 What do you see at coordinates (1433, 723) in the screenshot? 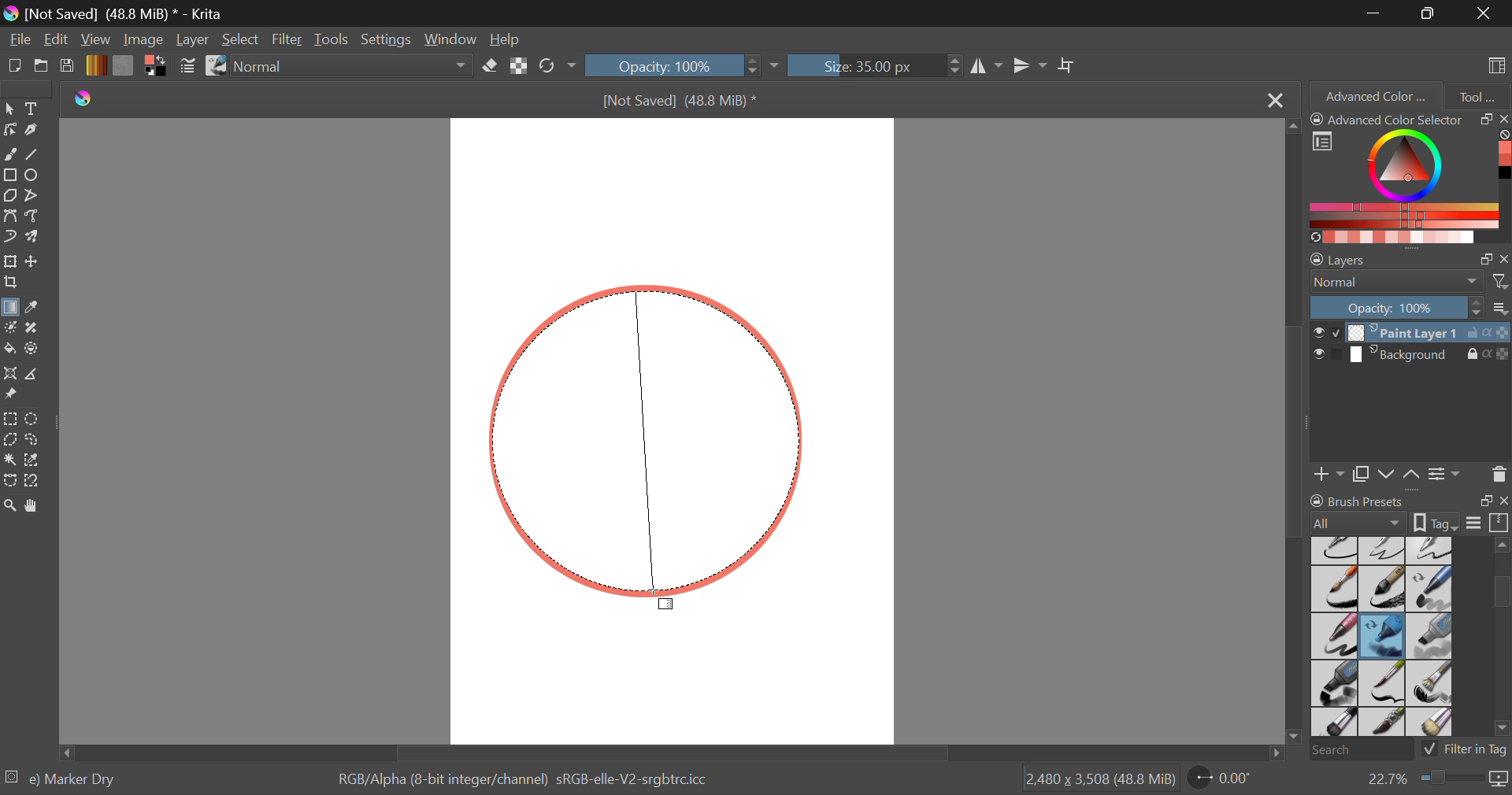
I see `Birstles-5 Plain` at bounding box center [1433, 723].